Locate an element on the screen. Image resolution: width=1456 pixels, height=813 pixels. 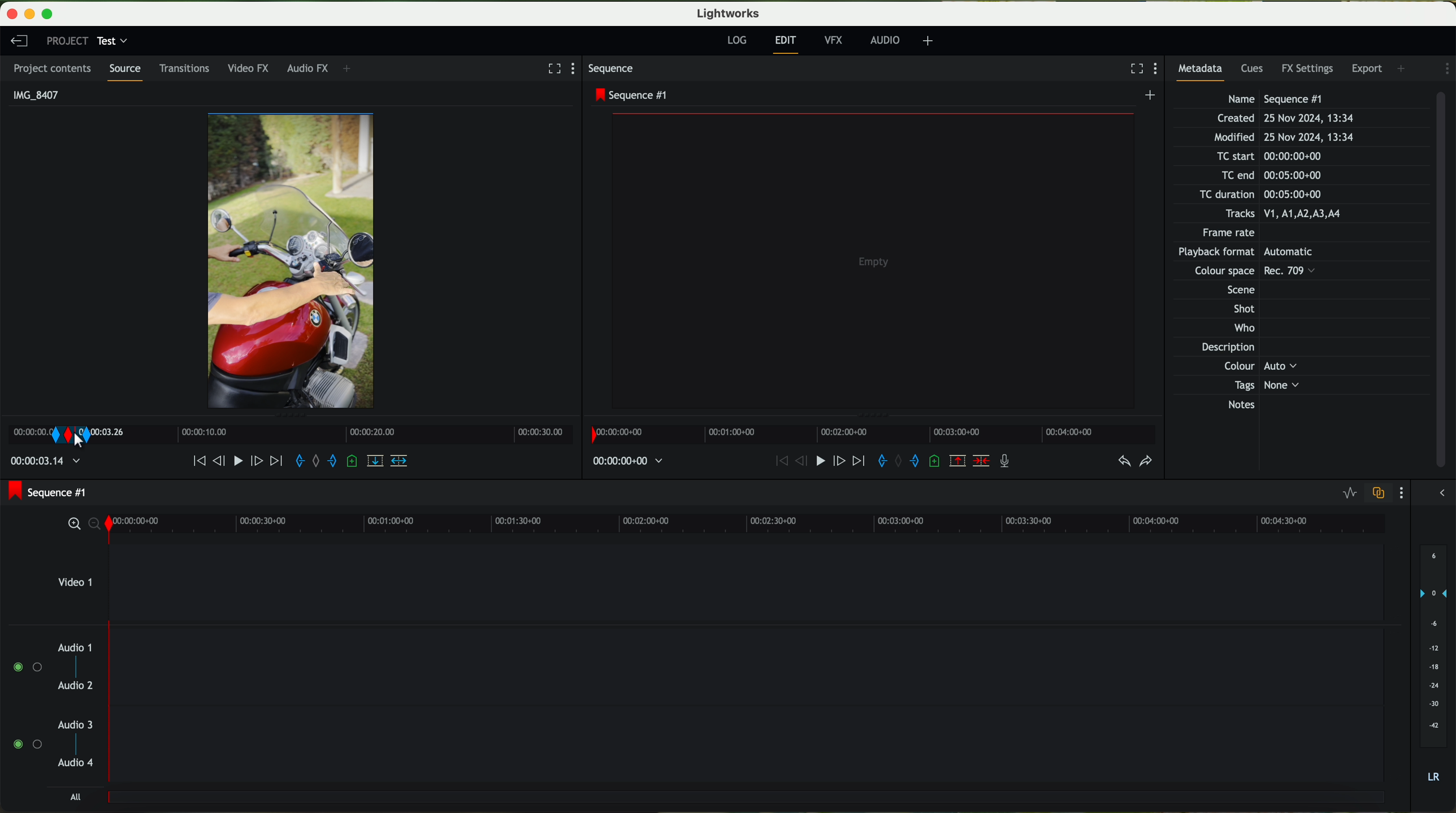
TC duration is located at coordinates (1254, 196).